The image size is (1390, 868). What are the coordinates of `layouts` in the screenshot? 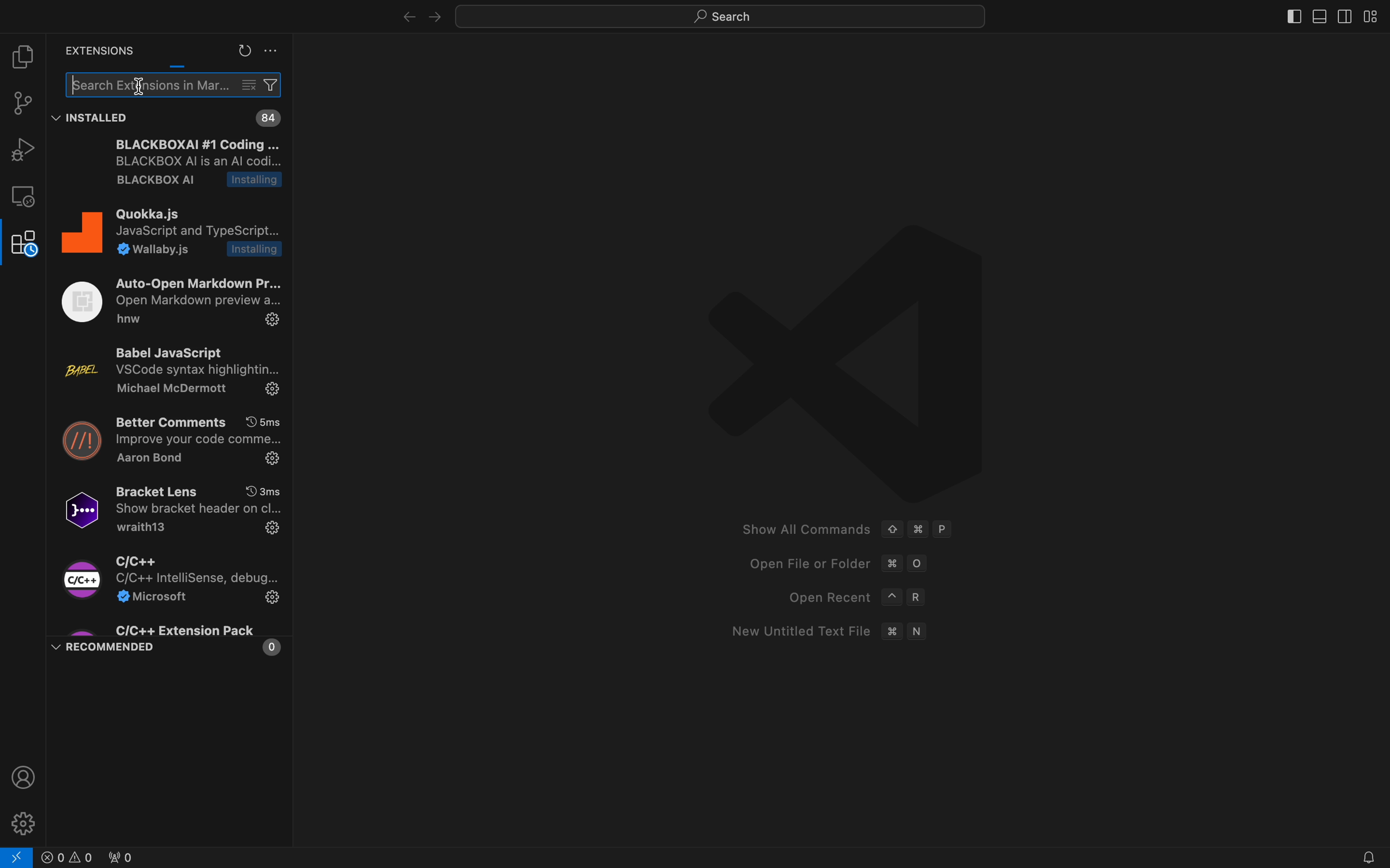 It's located at (1372, 15).